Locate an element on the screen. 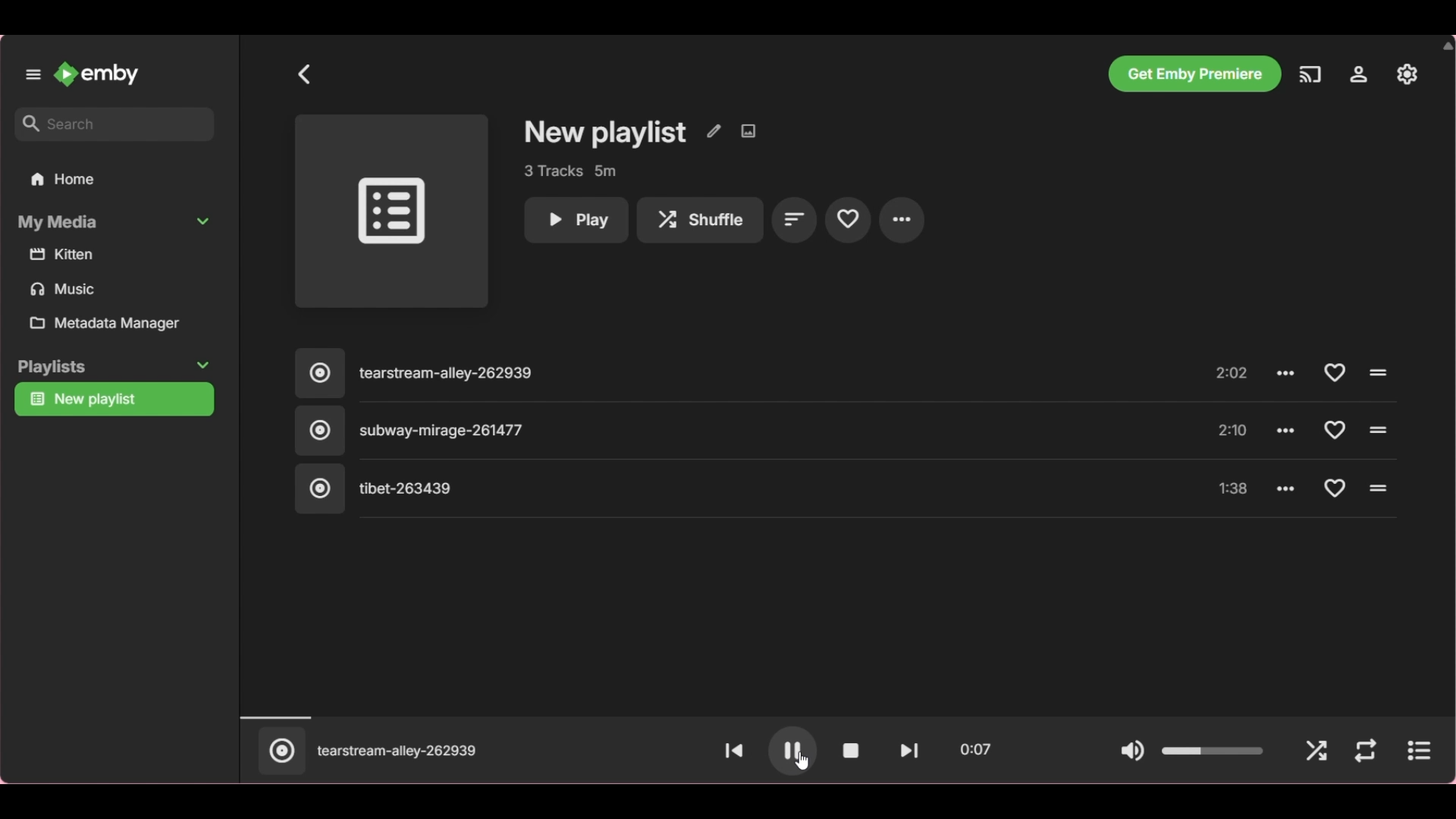 This screenshot has width=1456, height=819. Playlist details is located at coordinates (570, 171).